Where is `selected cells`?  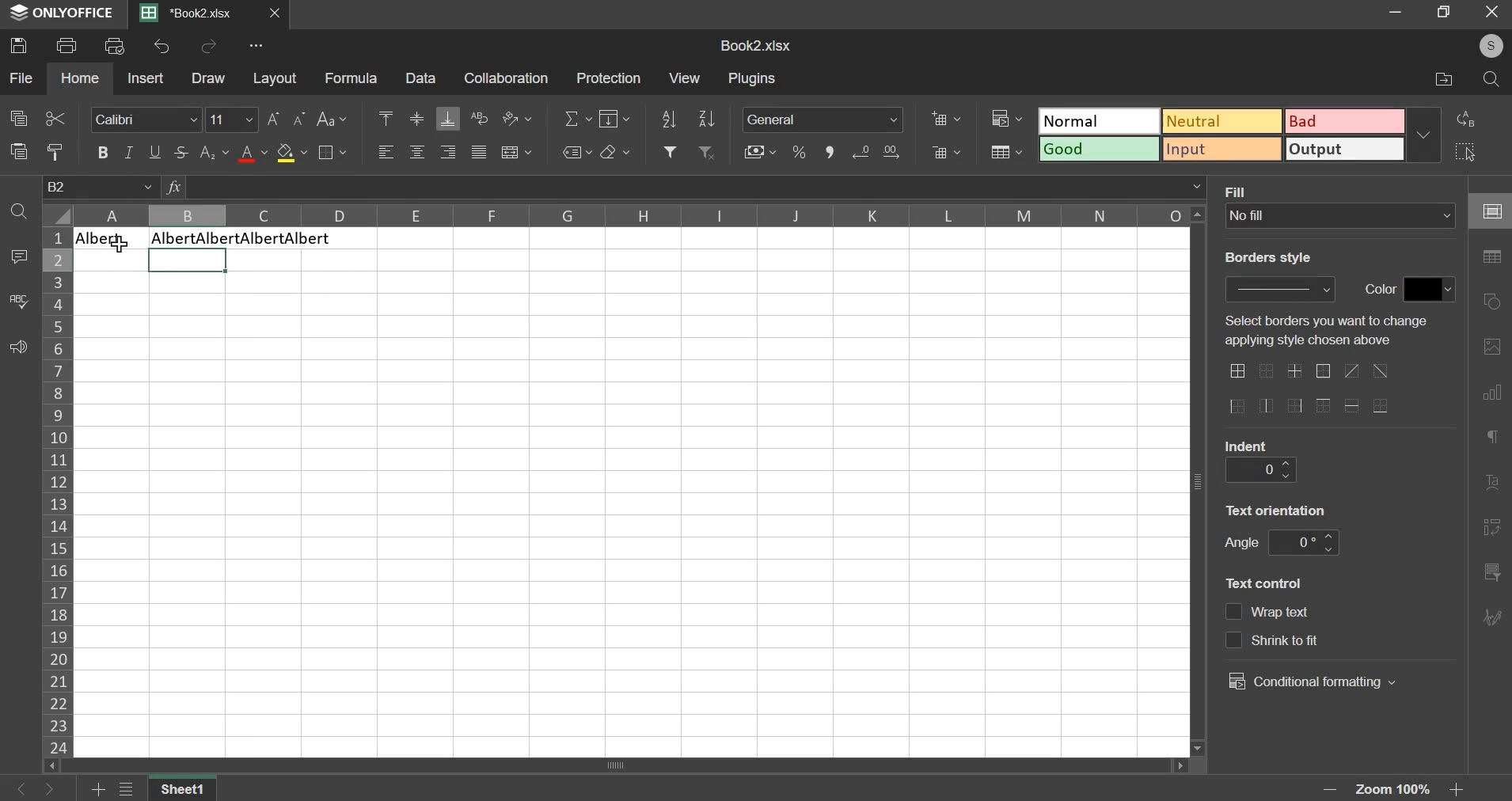
selected cells is located at coordinates (186, 261).